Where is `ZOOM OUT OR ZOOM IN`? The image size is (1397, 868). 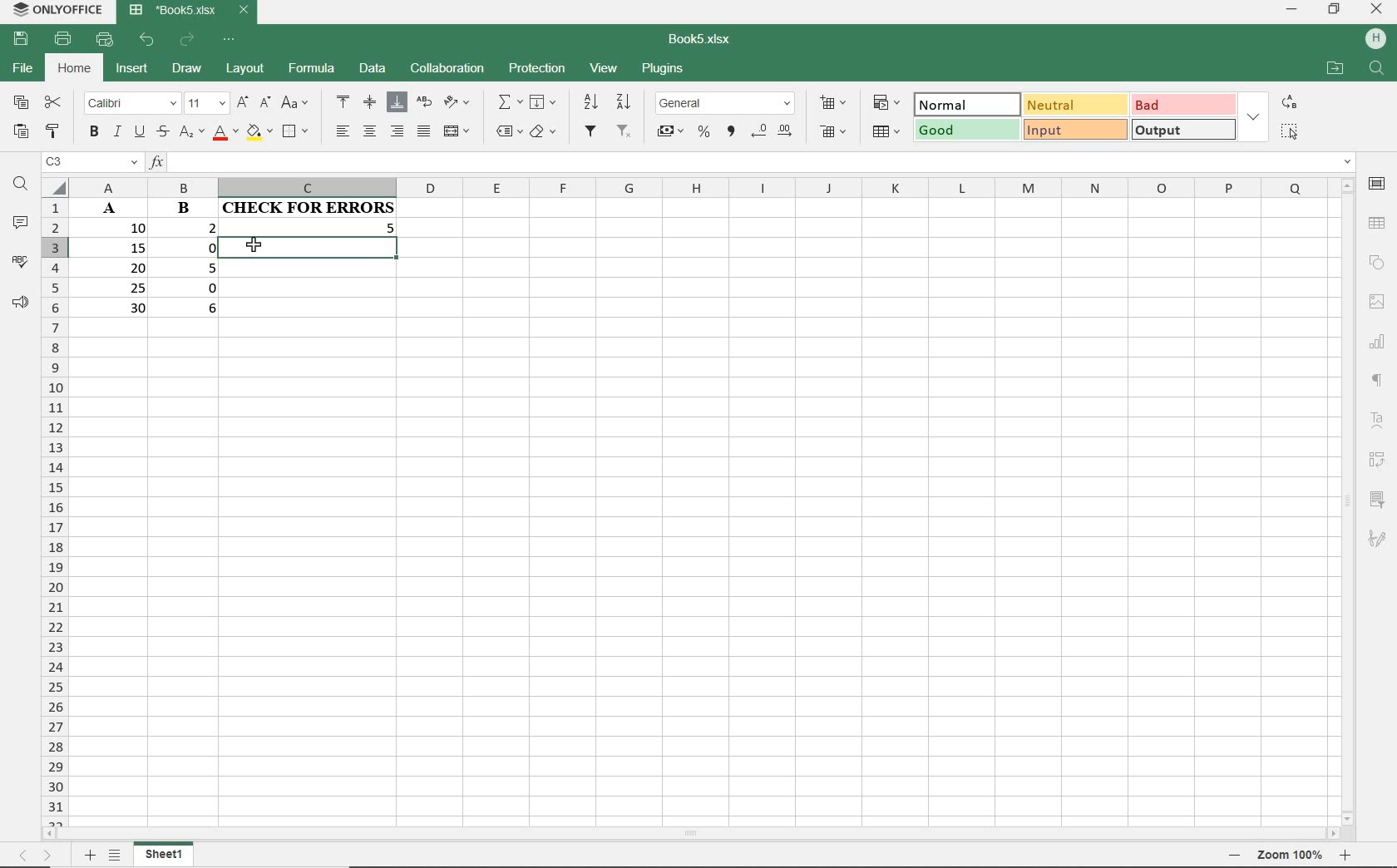 ZOOM OUT OR ZOOM IN is located at coordinates (1291, 856).